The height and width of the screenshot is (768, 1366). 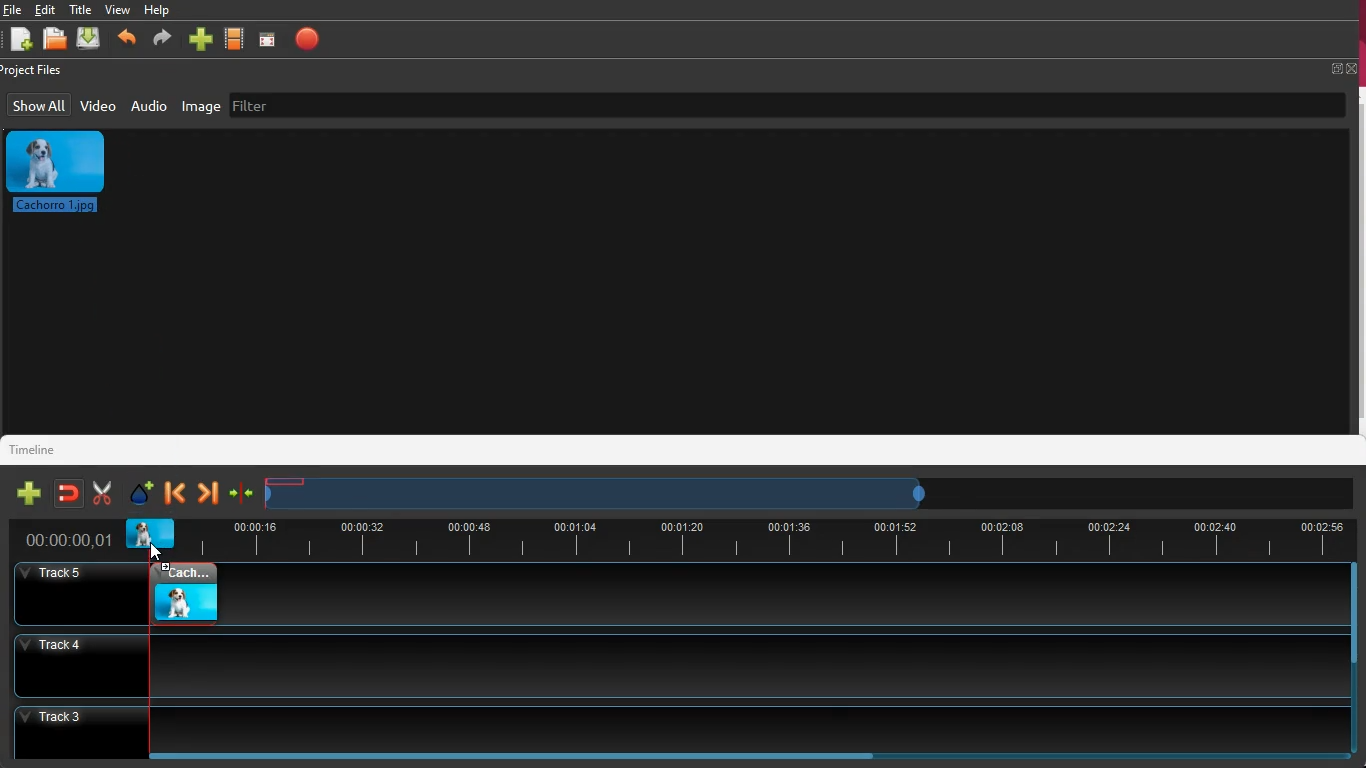 What do you see at coordinates (151, 534) in the screenshot?
I see `video` at bounding box center [151, 534].